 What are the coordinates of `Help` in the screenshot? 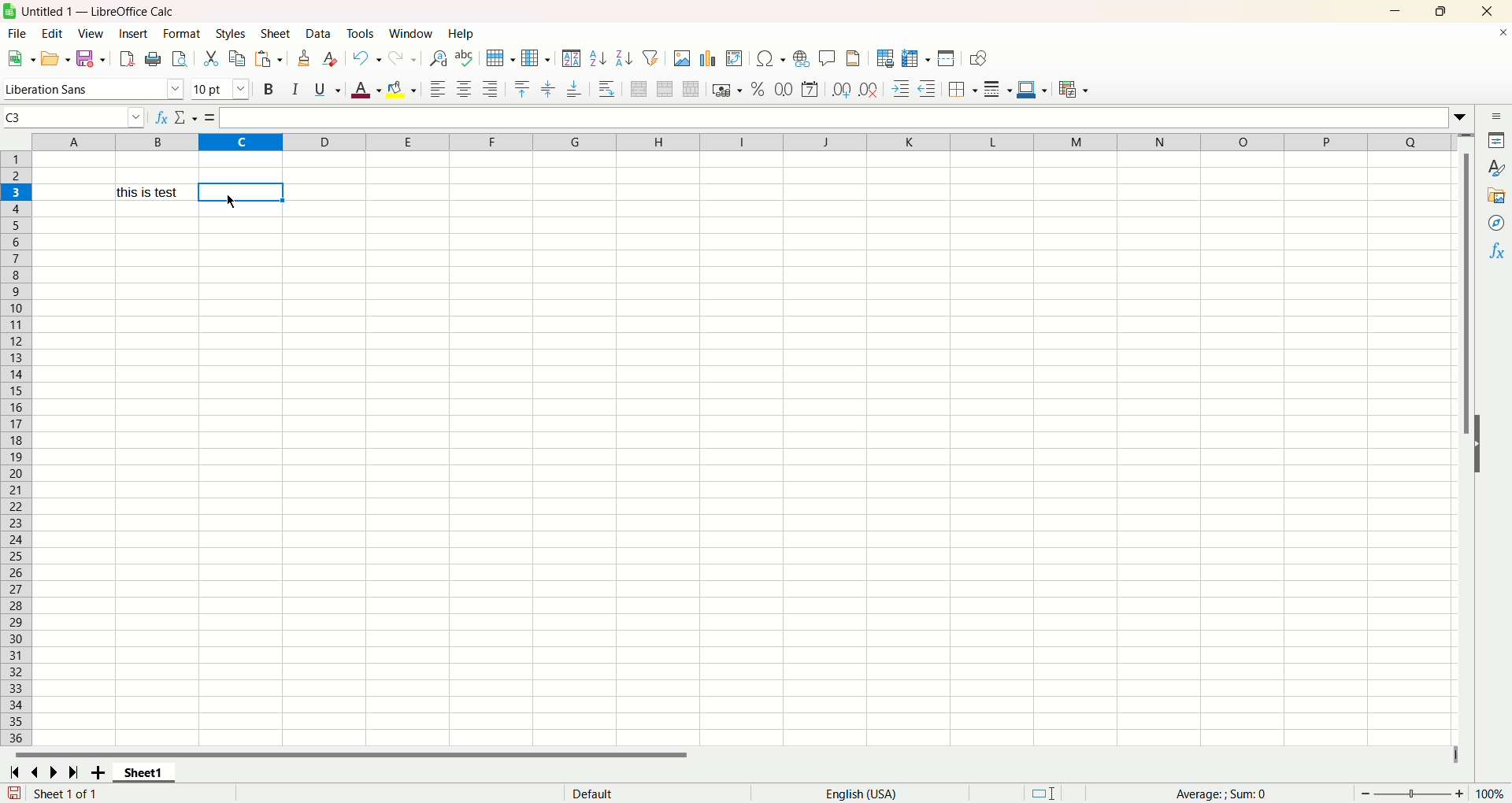 It's located at (462, 35).